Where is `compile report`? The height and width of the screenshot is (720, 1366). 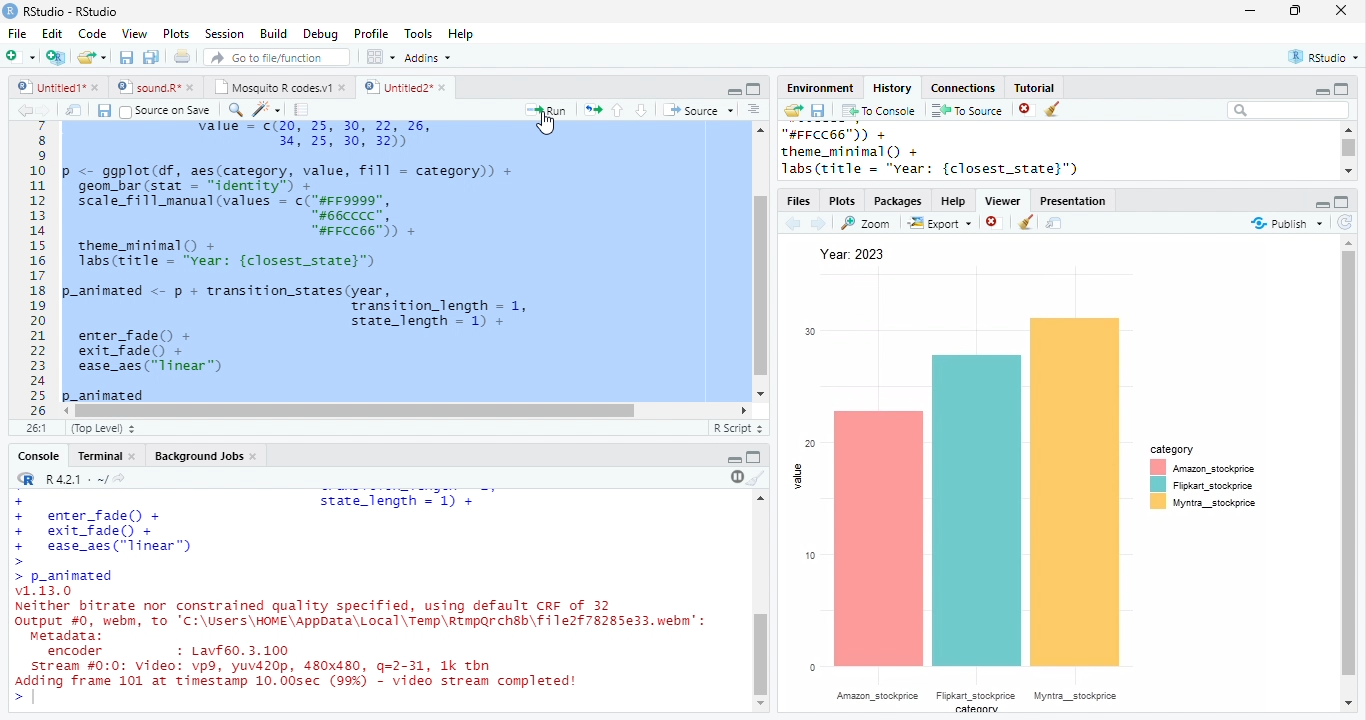
compile report is located at coordinates (302, 110).